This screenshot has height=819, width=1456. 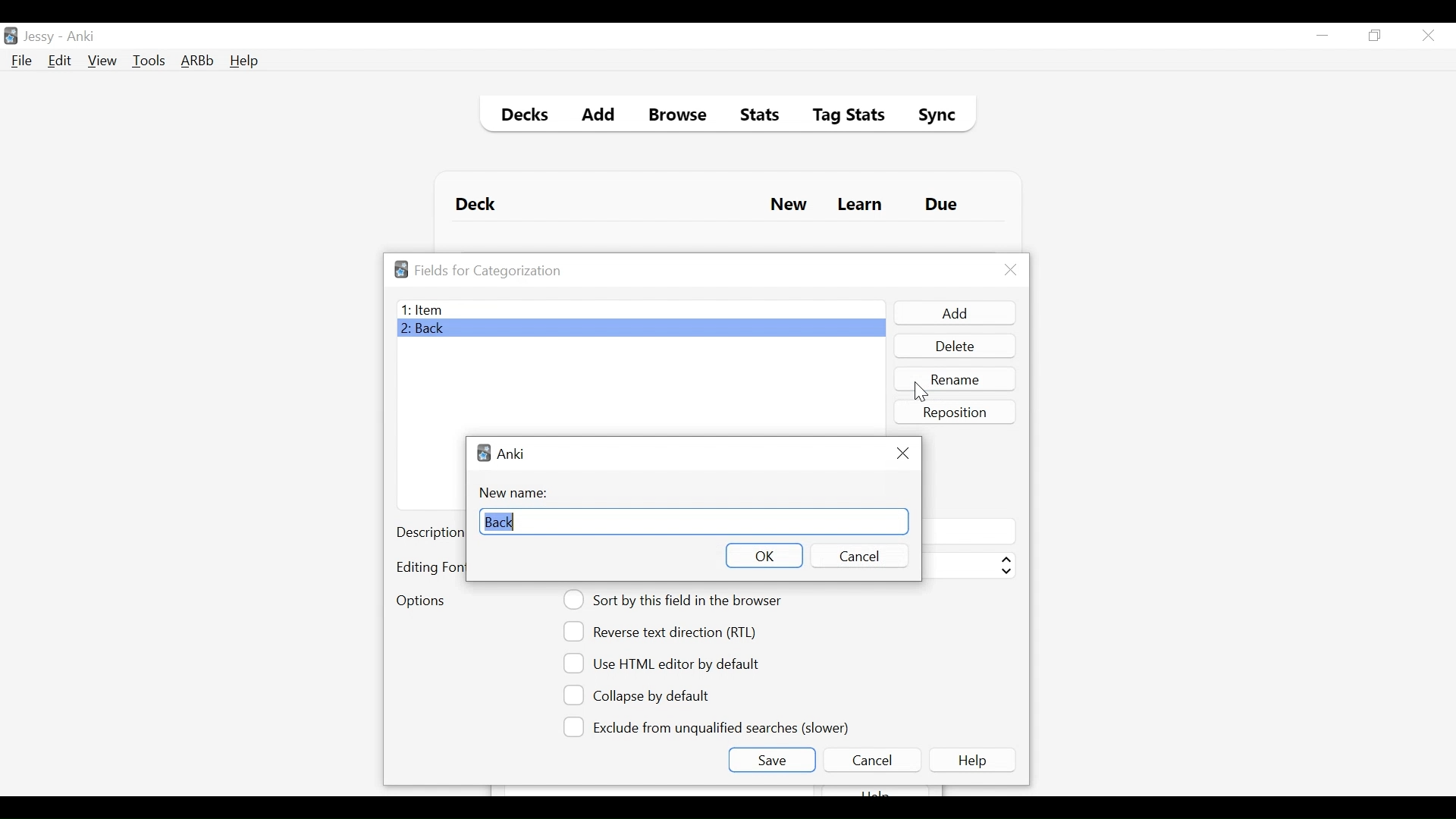 I want to click on Close, so click(x=902, y=453).